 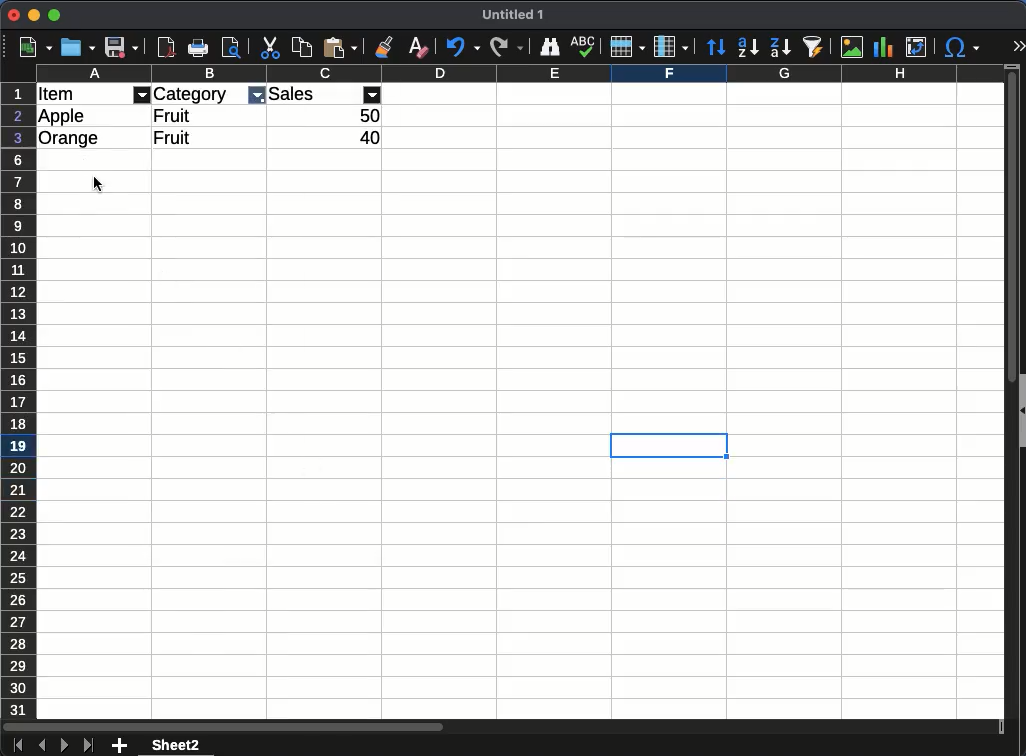 What do you see at coordinates (370, 138) in the screenshot?
I see `40` at bounding box center [370, 138].